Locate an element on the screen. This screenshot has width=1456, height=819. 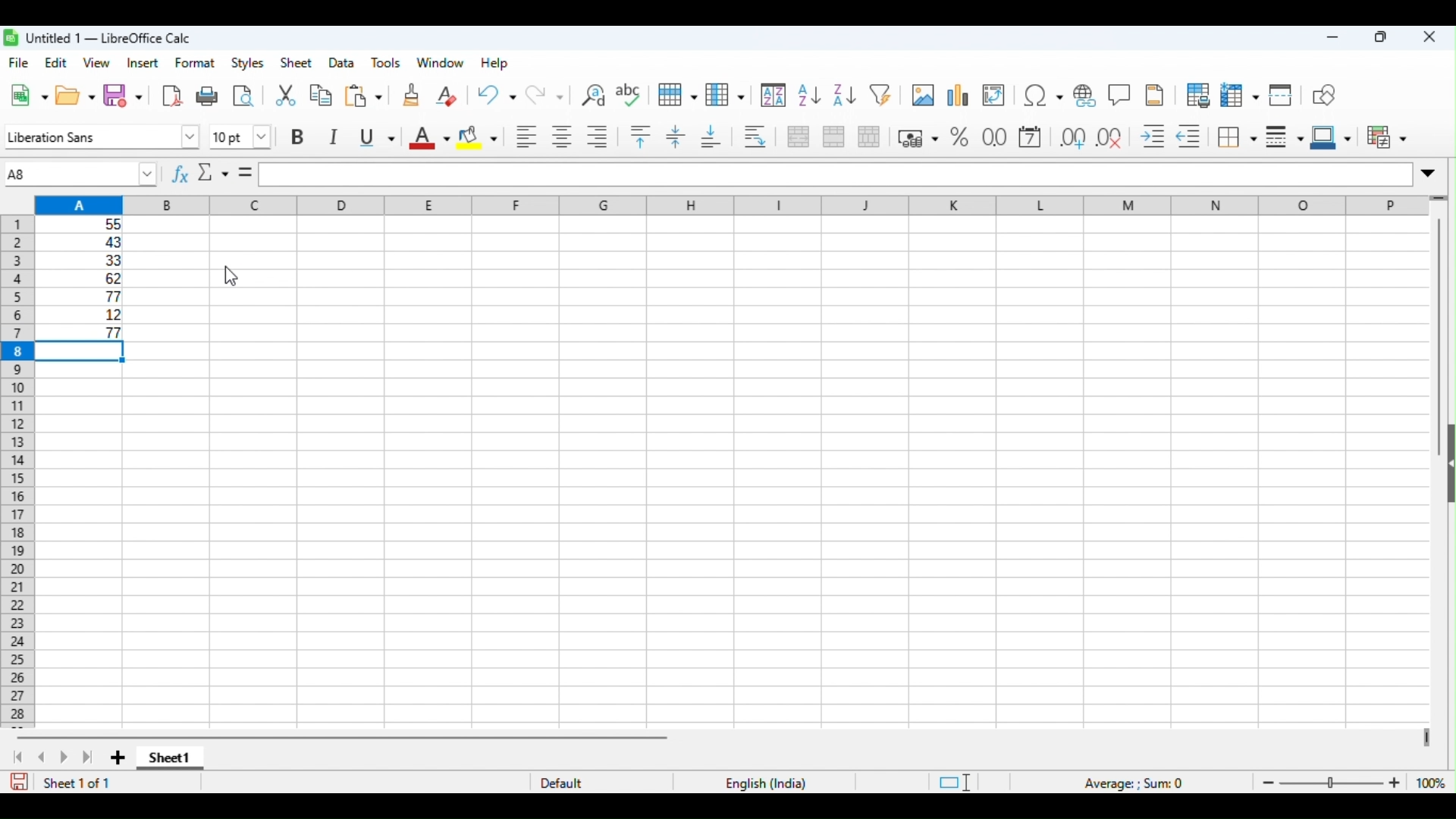
file is located at coordinates (21, 64).